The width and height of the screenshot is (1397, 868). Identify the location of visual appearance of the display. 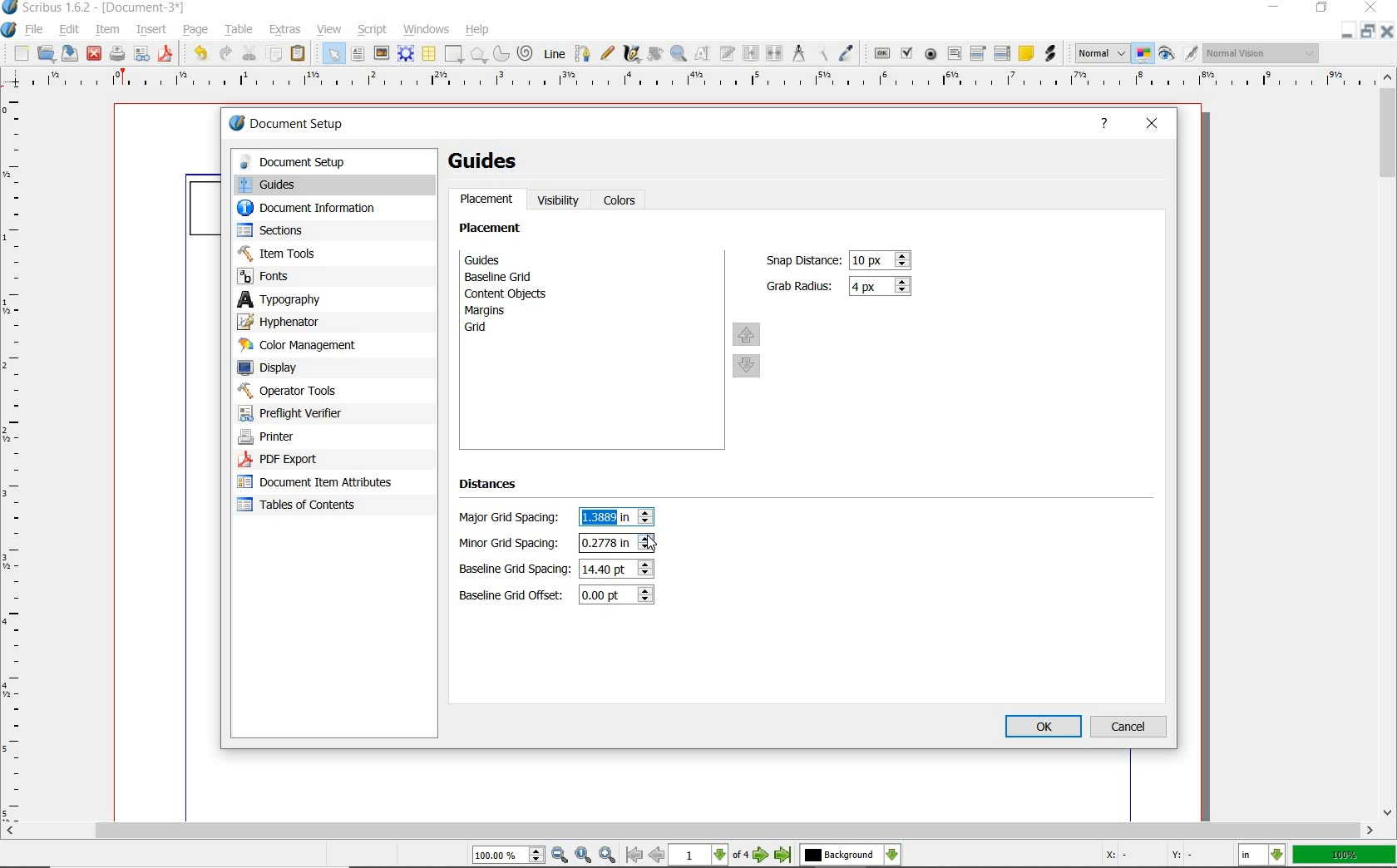
(1262, 54).